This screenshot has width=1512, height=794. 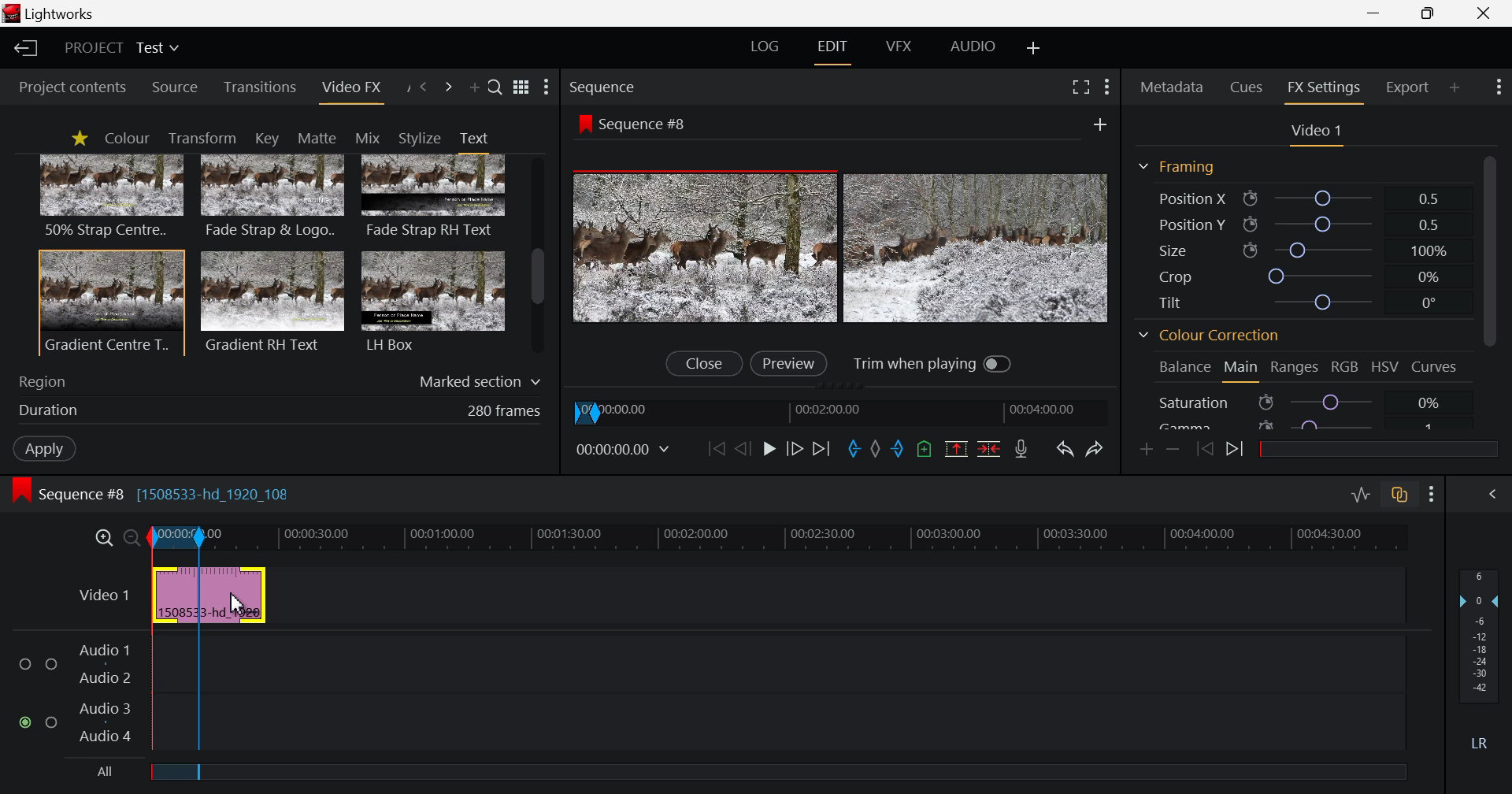 What do you see at coordinates (1377, 13) in the screenshot?
I see `Restore Down` at bounding box center [1377, 13].